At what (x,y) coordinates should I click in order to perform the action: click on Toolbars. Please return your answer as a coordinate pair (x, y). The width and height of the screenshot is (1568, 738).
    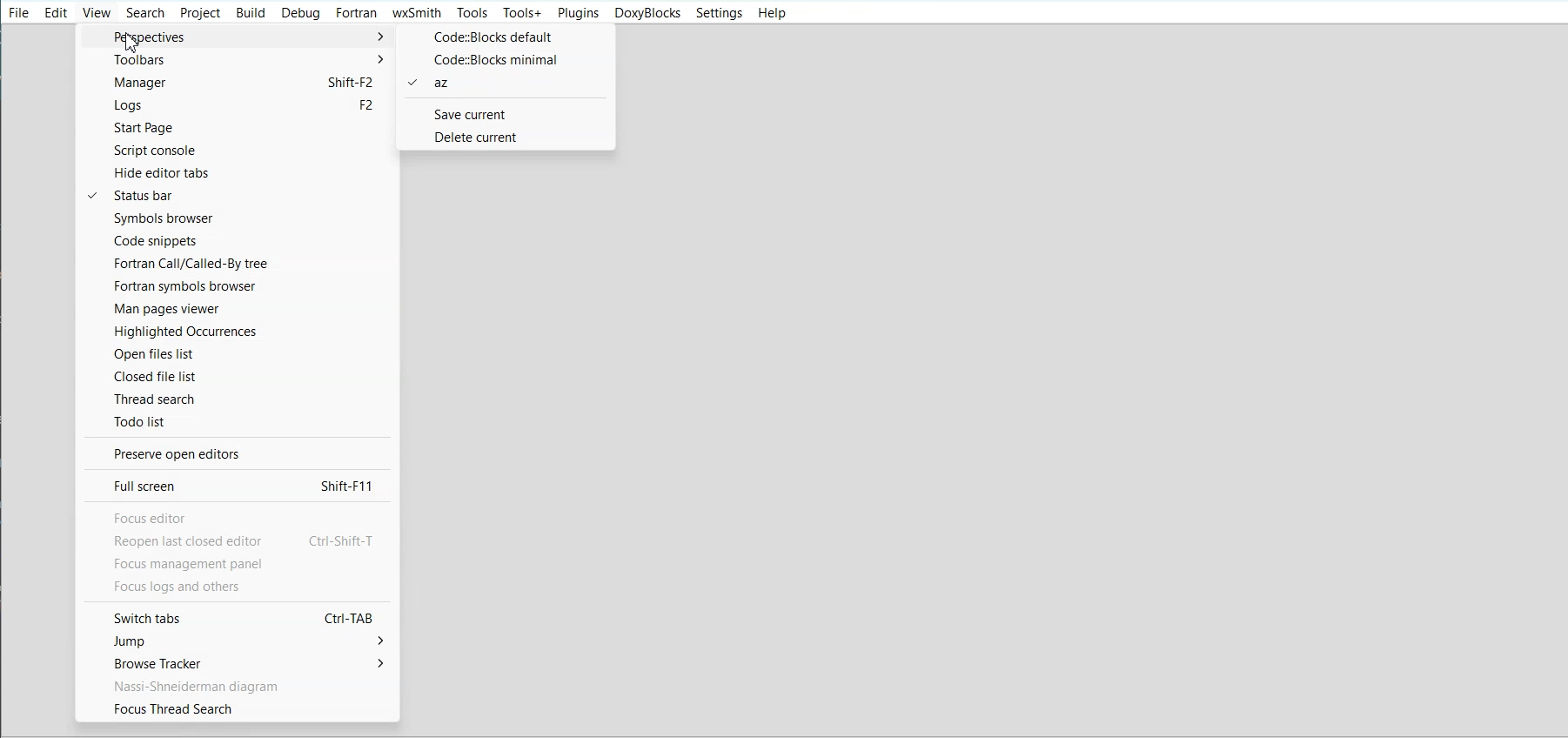
    Looking at the image, I should click on (238, 61).